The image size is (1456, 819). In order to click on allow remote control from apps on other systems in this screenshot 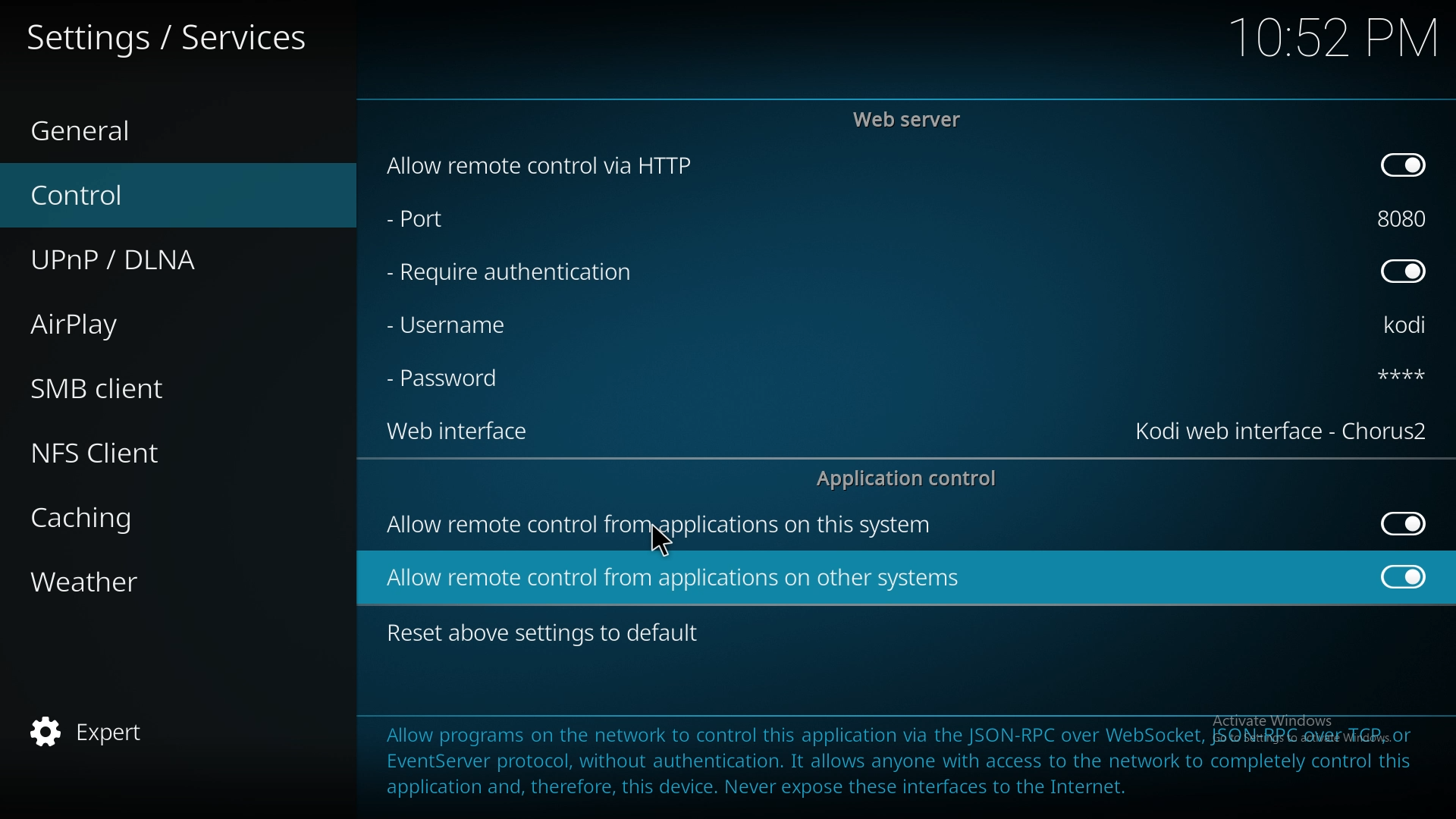, I will do `click(676, 578)`.